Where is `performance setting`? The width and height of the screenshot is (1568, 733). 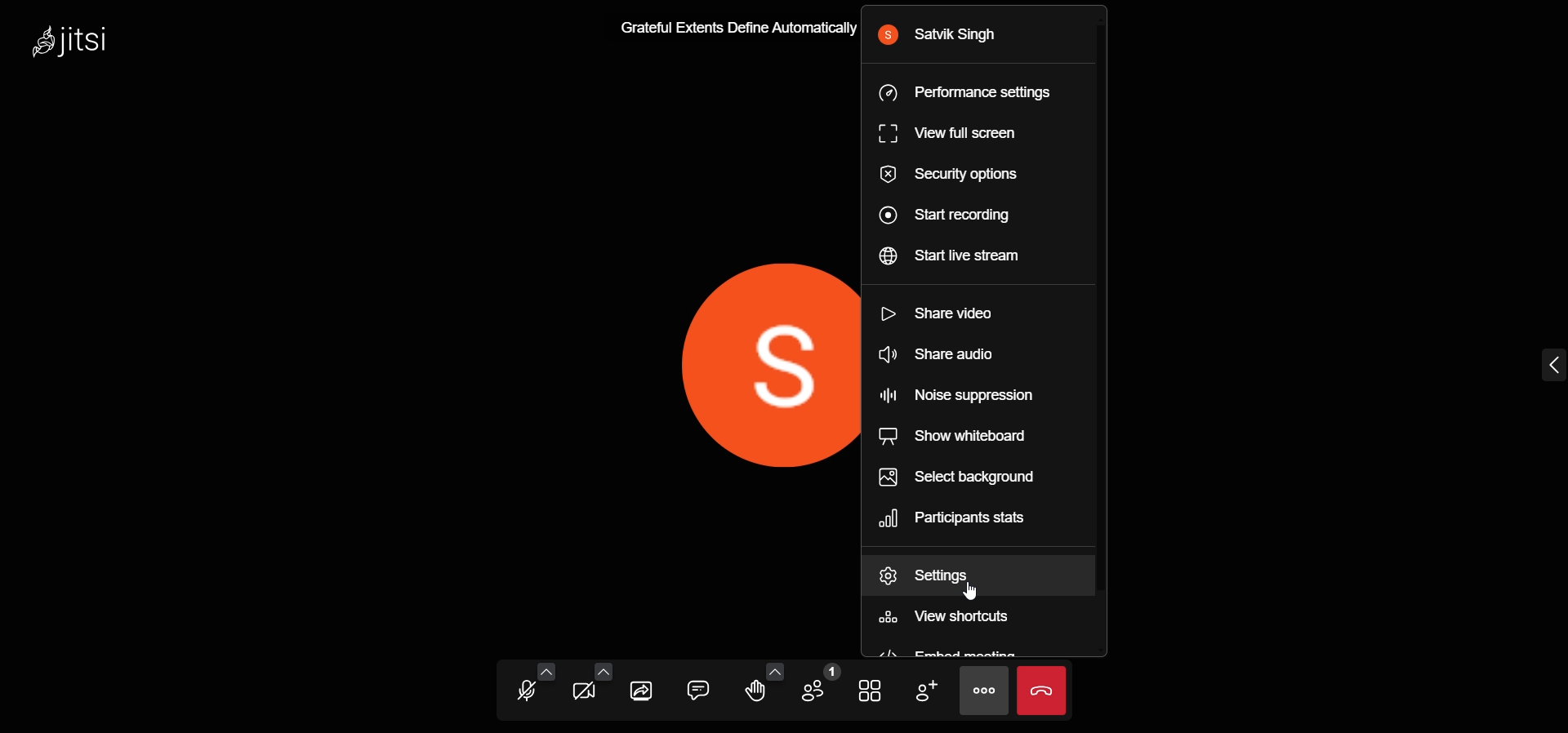
performance setting is located at coordinates (976, 95).